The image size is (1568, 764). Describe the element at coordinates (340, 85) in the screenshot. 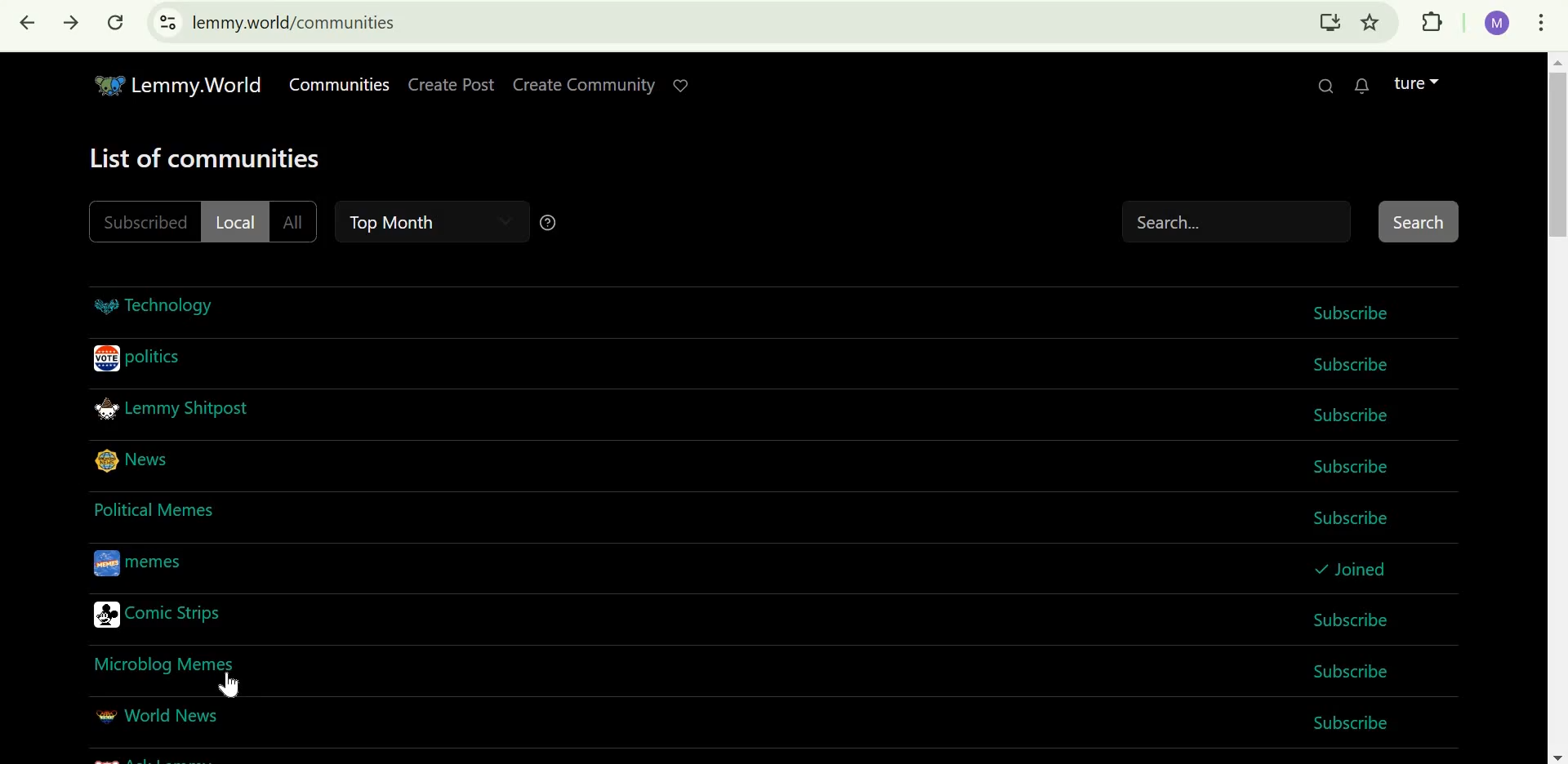

I see `communities` at that location.